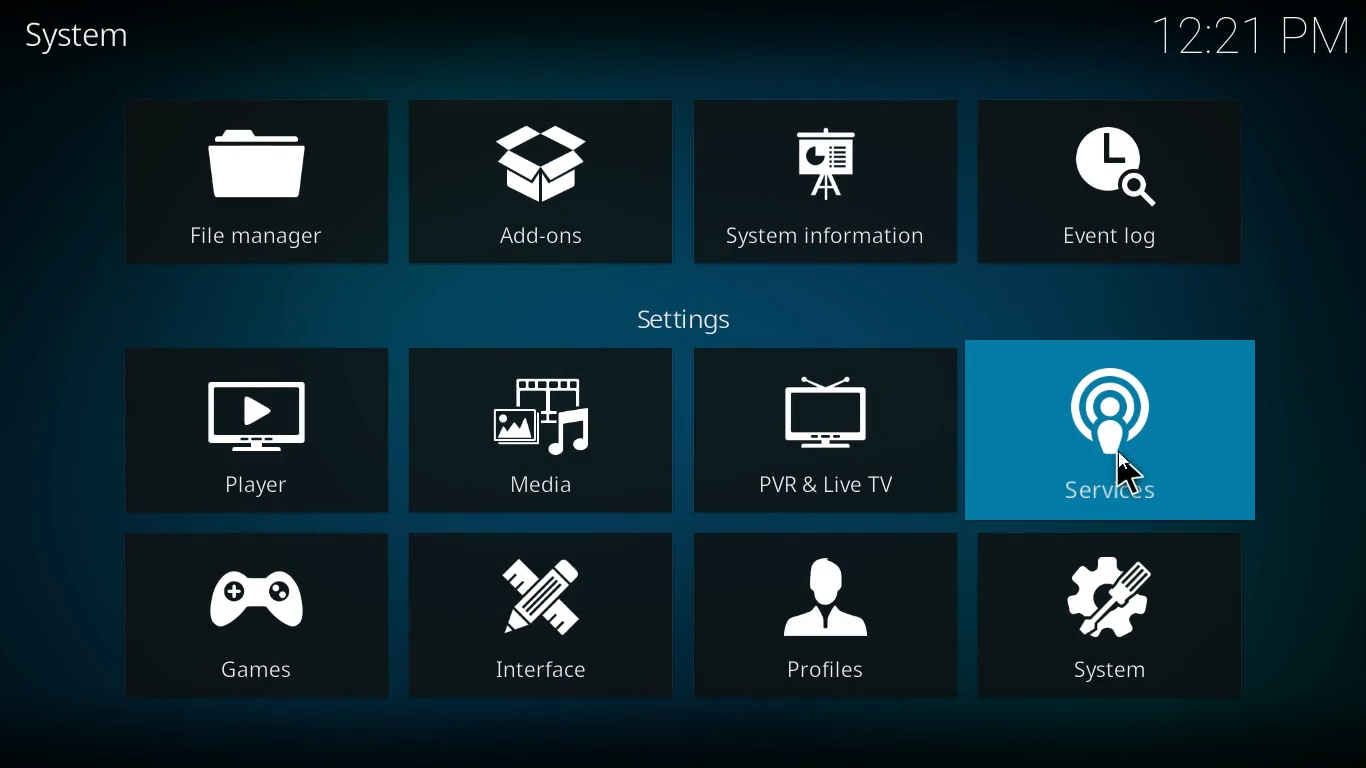 The height and width of the screenshot is (768, 1366). Describe the element at coordinates (252, 615) in the screenshot. I see `games` at that location.